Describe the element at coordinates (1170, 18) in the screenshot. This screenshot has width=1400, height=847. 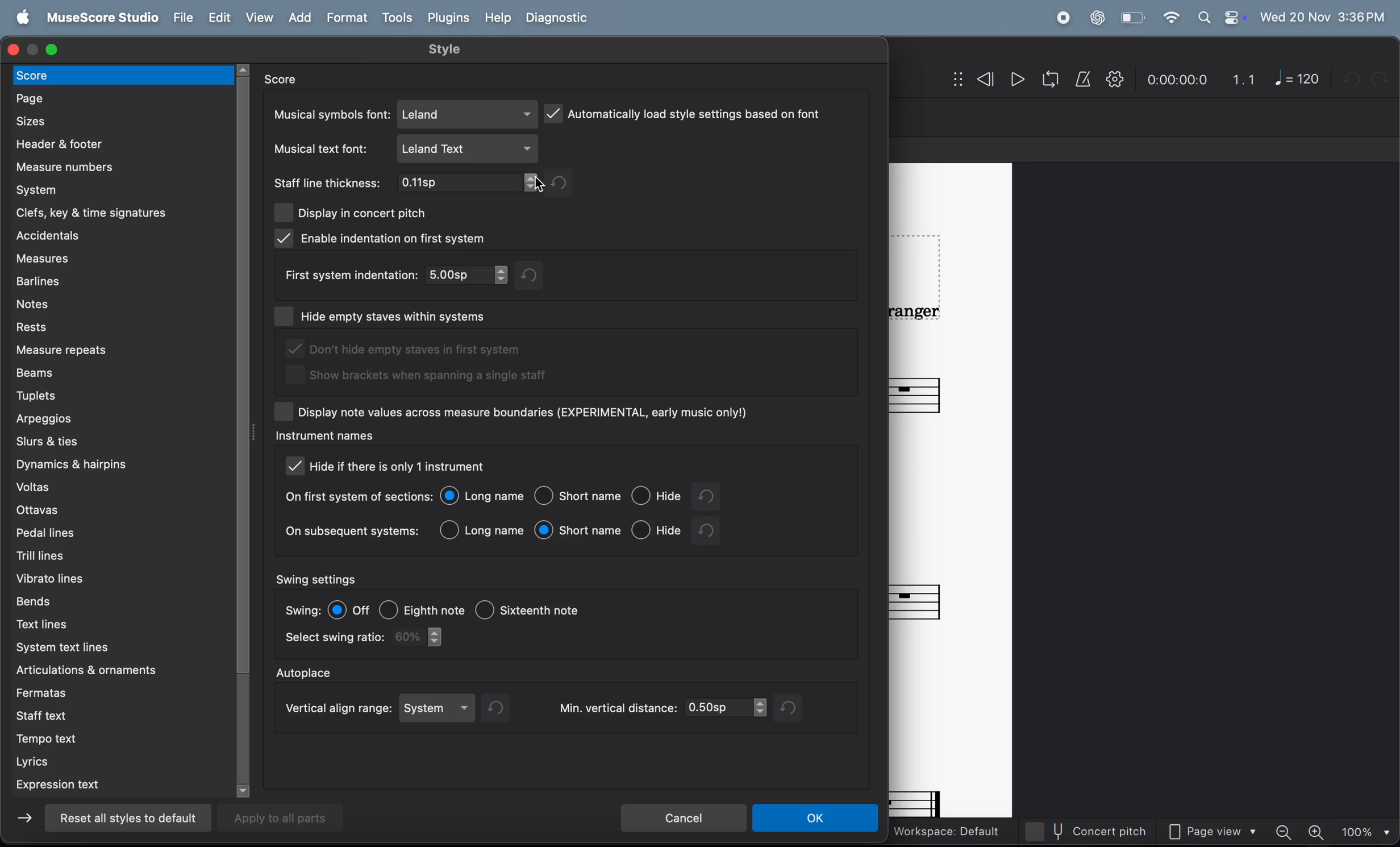
I see `wifi` at that location.